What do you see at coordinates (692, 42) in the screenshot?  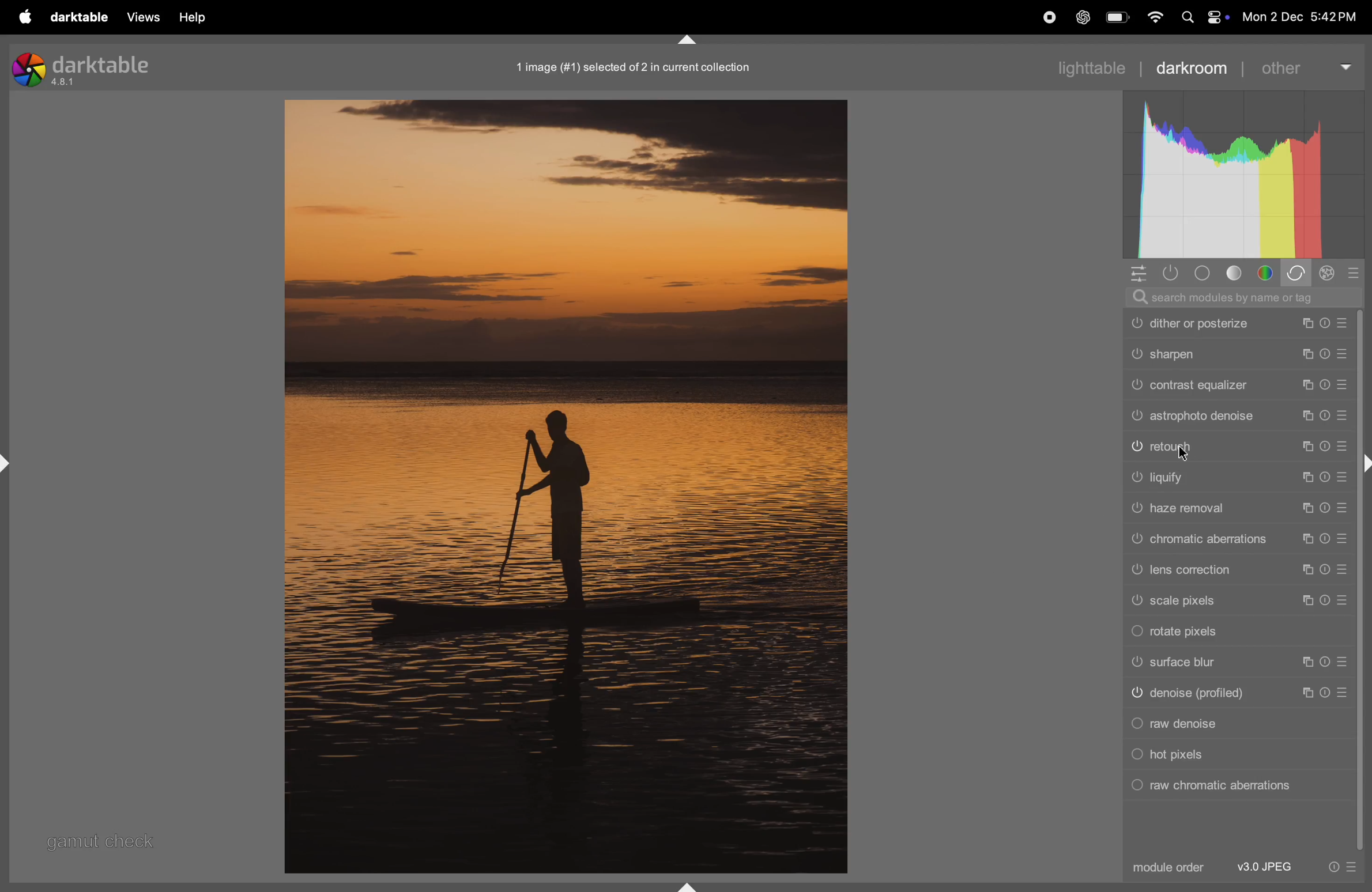 I see `Collapse` at bounding box center [692, 42].